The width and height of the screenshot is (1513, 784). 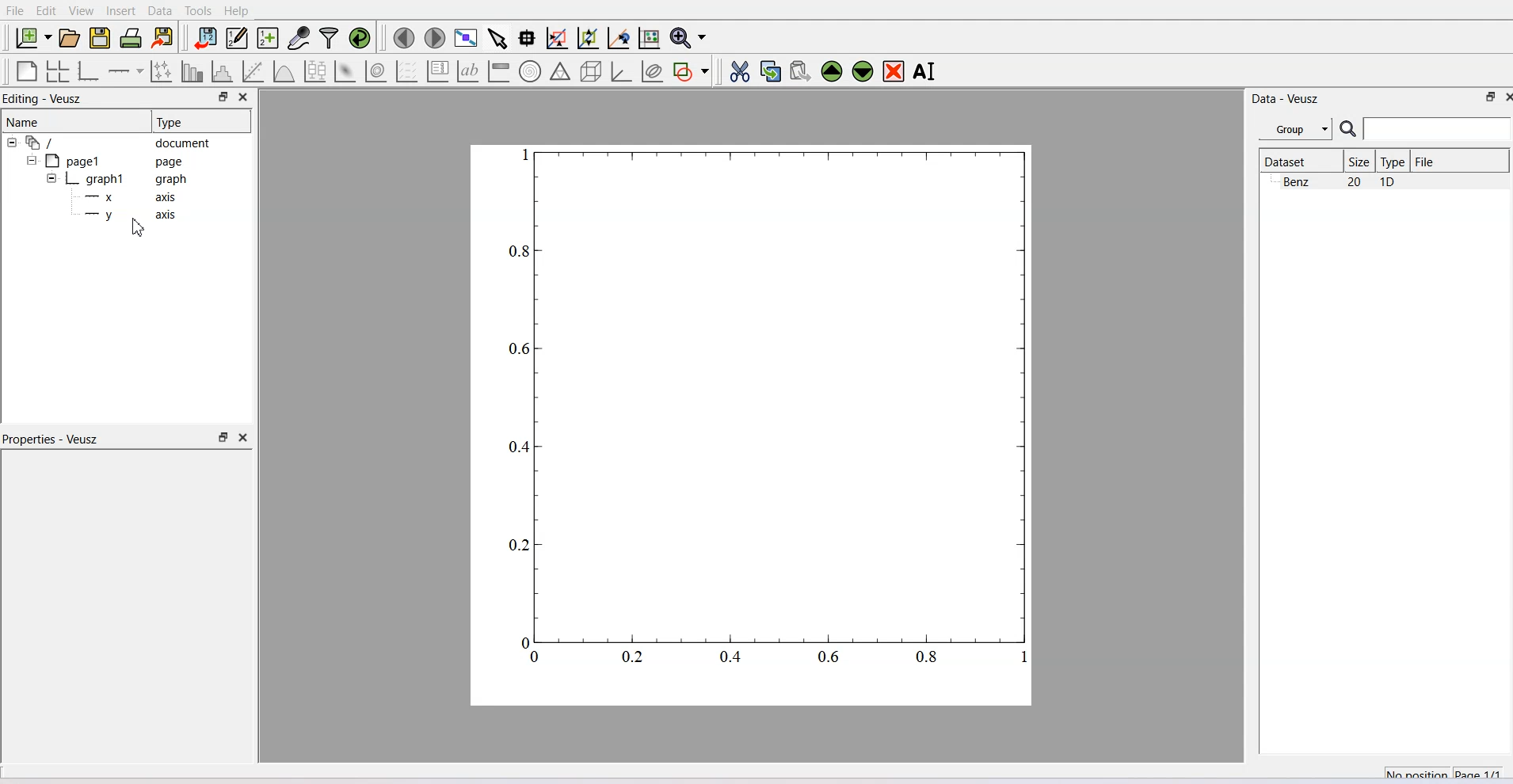 I want to click on Save a document, so click(x=101, y=38).